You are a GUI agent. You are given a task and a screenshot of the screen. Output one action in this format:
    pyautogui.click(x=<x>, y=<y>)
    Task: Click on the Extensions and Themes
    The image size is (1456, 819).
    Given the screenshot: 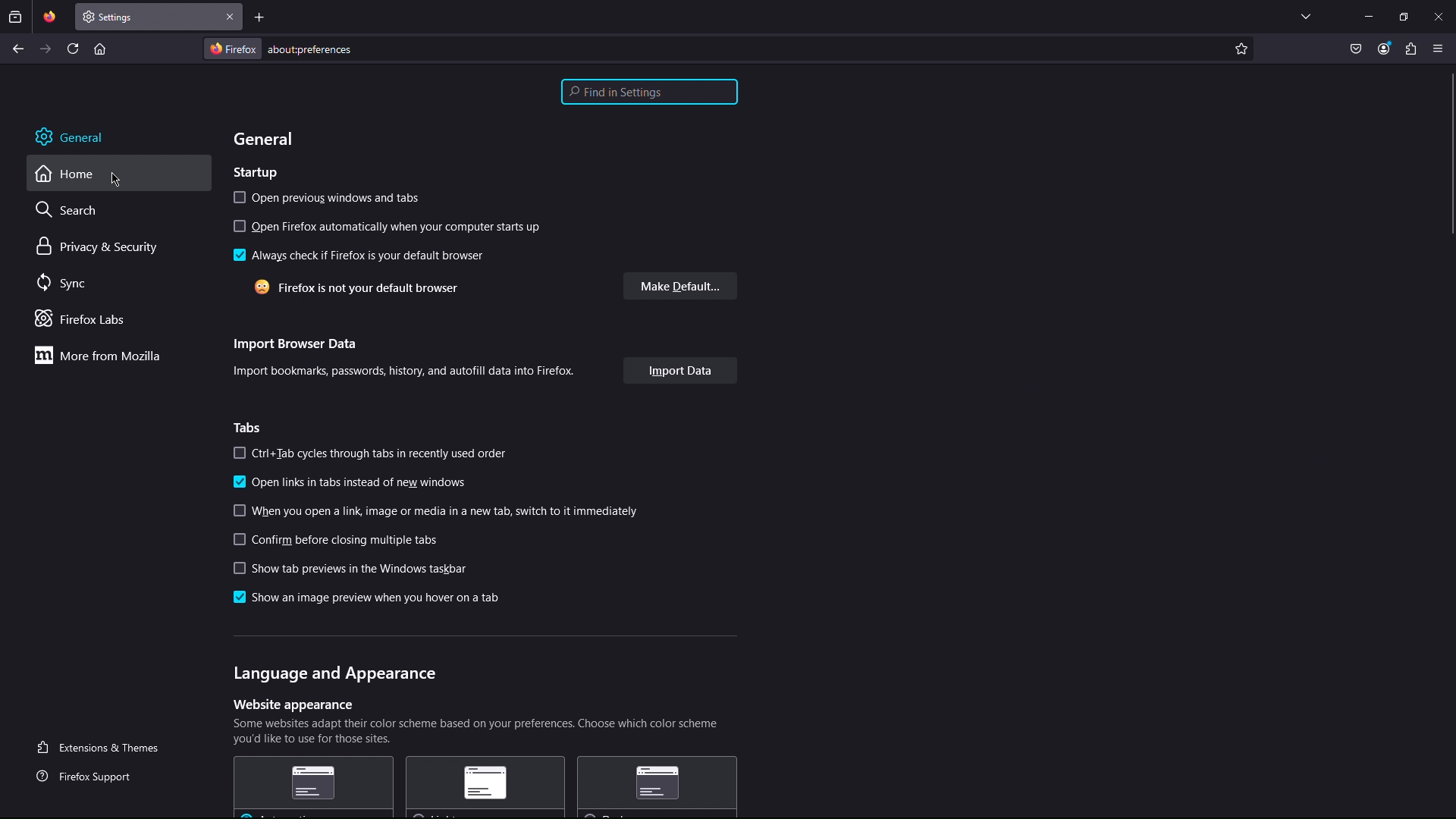 What is the action you would take?
    pyautogui.click(x=104, y=746)
    